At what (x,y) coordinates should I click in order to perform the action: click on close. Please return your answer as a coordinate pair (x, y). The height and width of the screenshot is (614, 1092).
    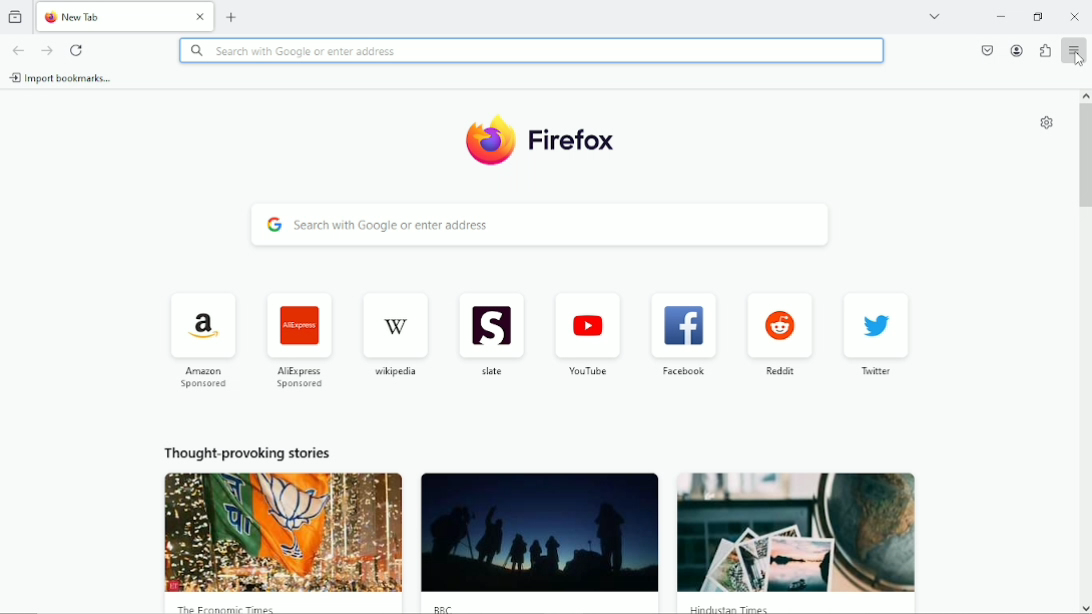
    Looking at the image, I should click on (201, 17).